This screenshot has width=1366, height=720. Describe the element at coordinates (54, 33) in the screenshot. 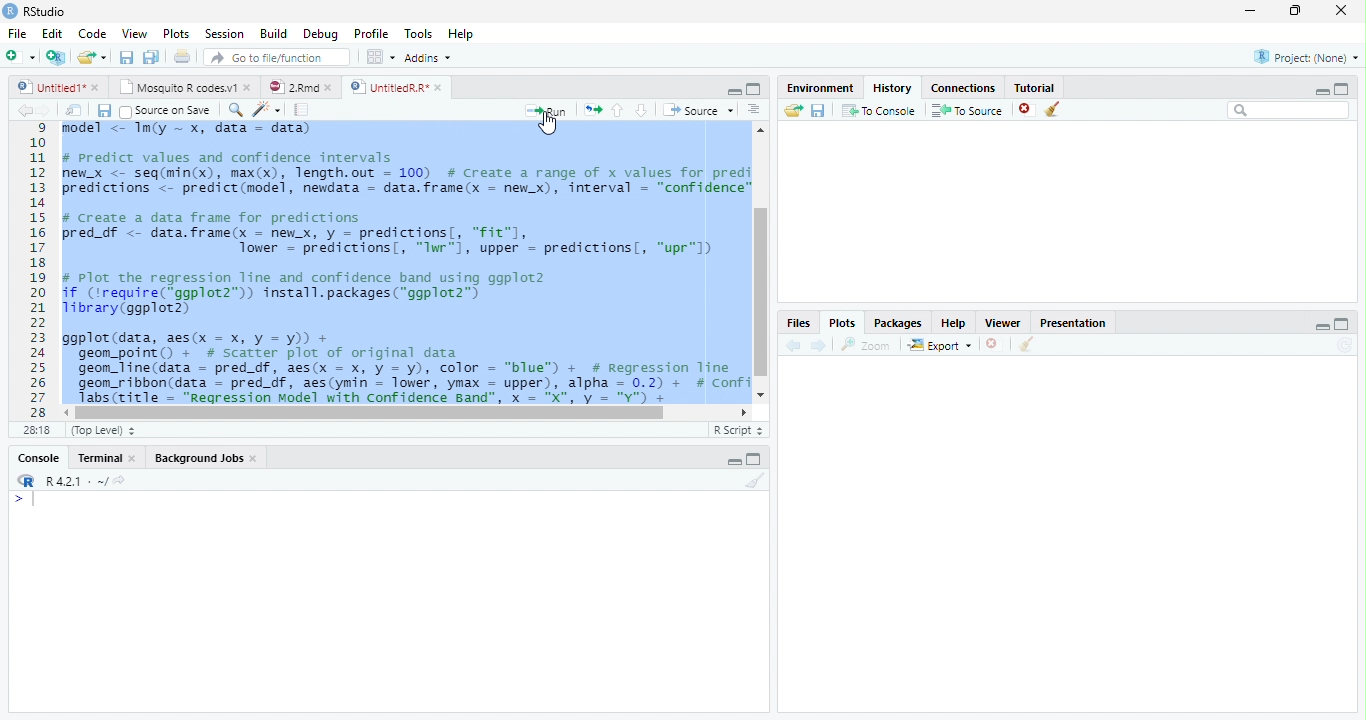

I see `Edit` at that location.